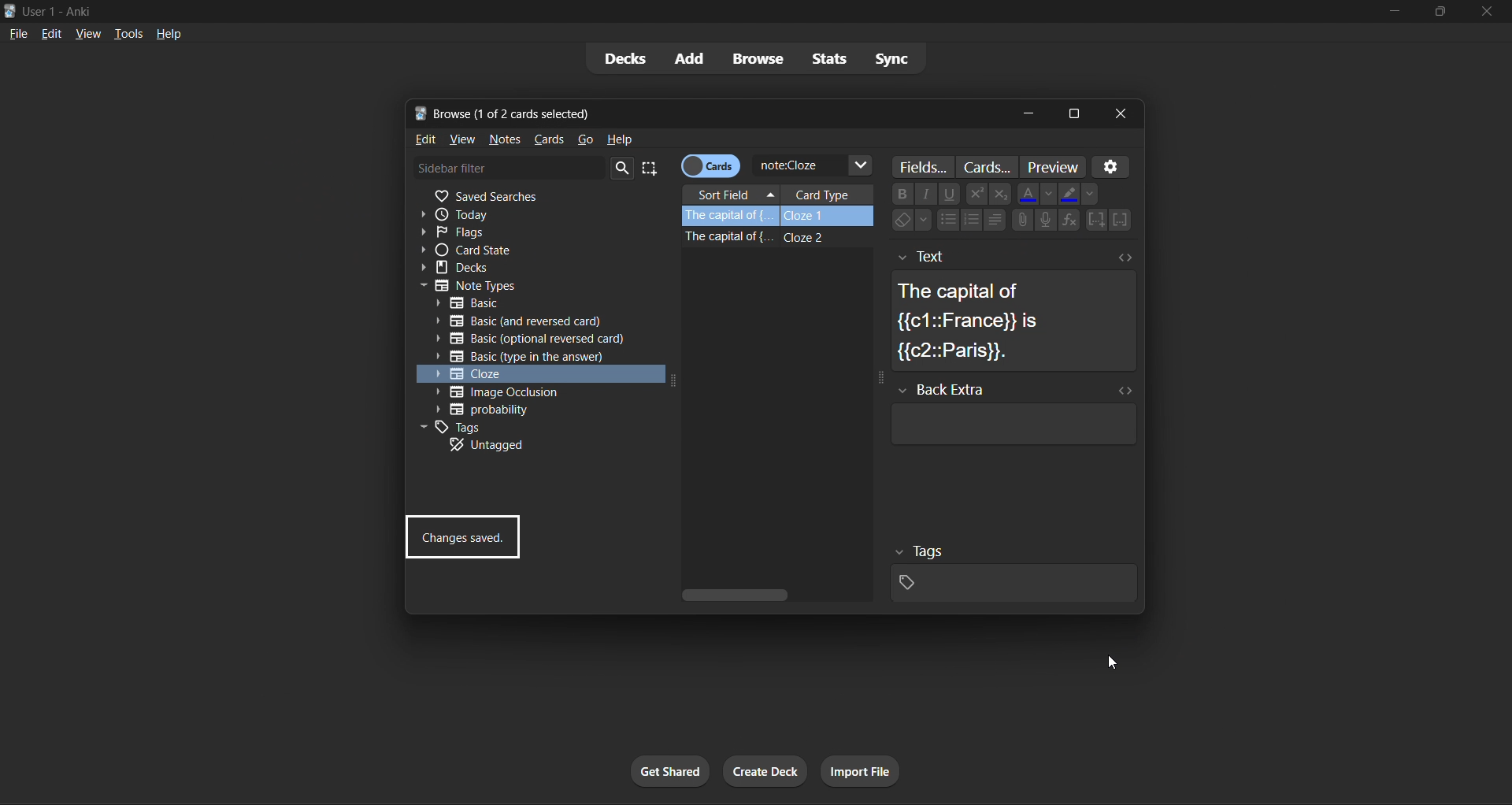  I want to click on cursor, so click(1116, 663).